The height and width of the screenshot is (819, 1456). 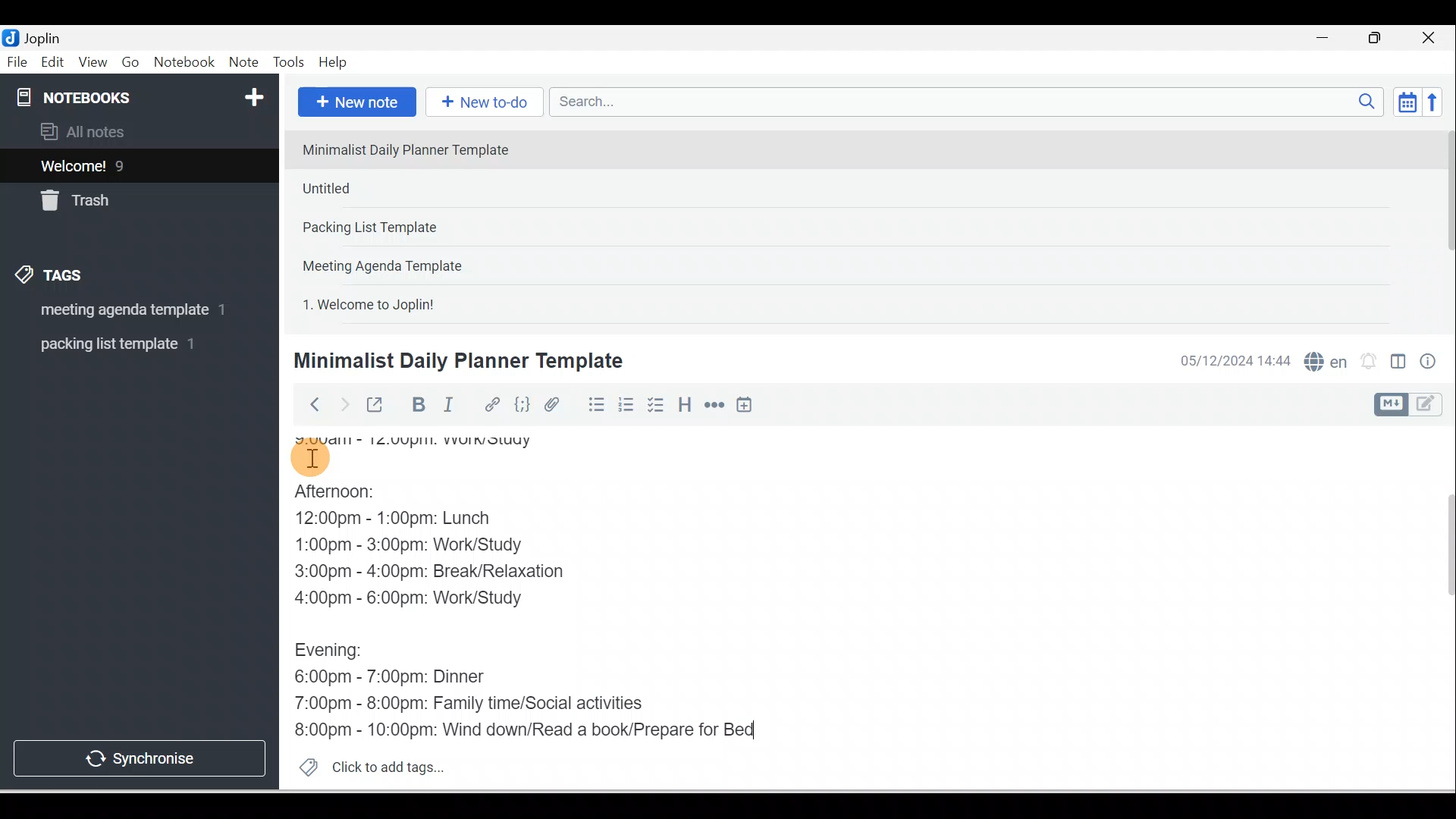 I want to click on Tags, so click(x=54, y=278).